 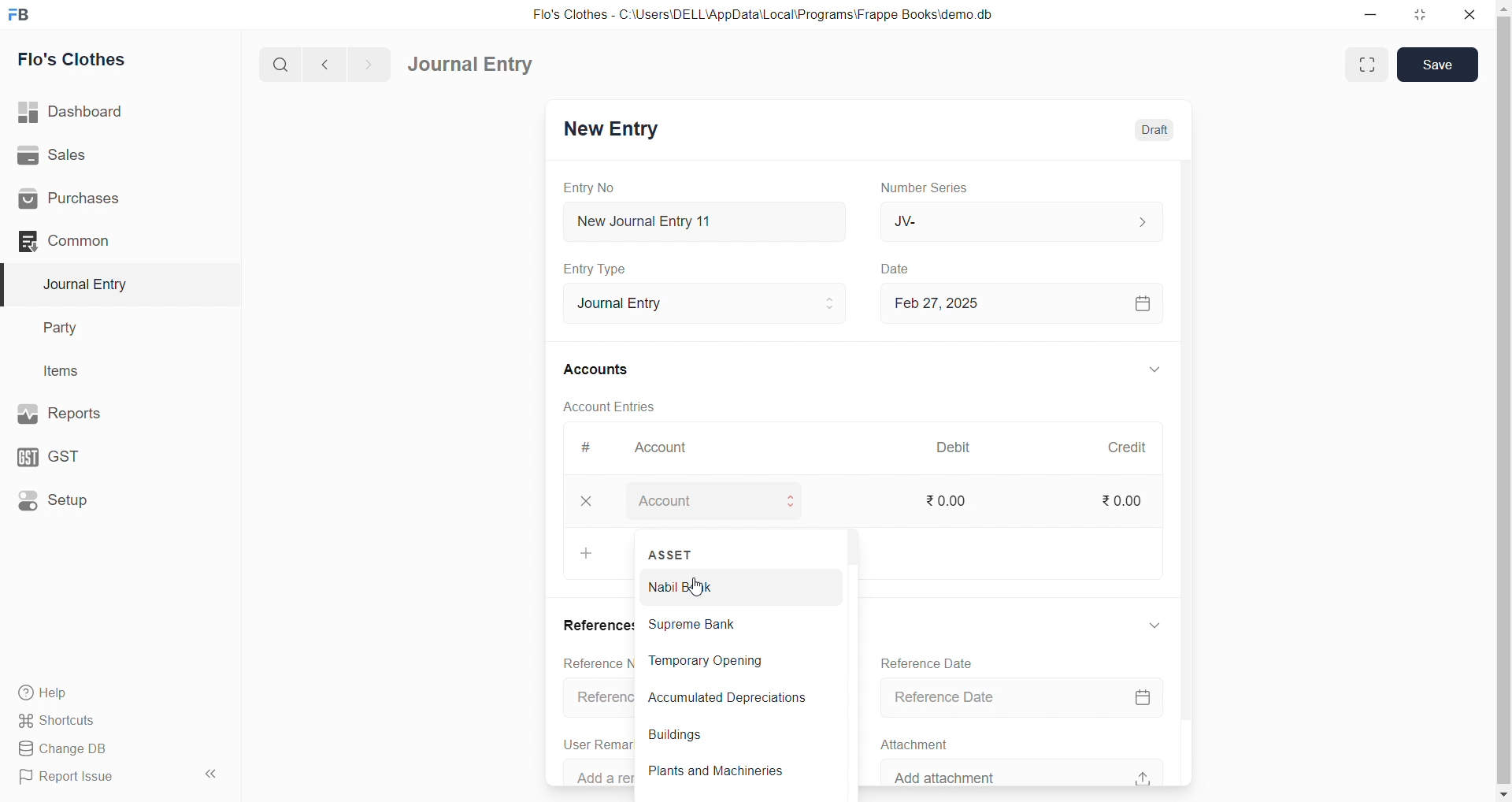 What do you see at coordinates (917, 743) in the screenshot?
I see `Attachment` at bounding box center [917, 743].